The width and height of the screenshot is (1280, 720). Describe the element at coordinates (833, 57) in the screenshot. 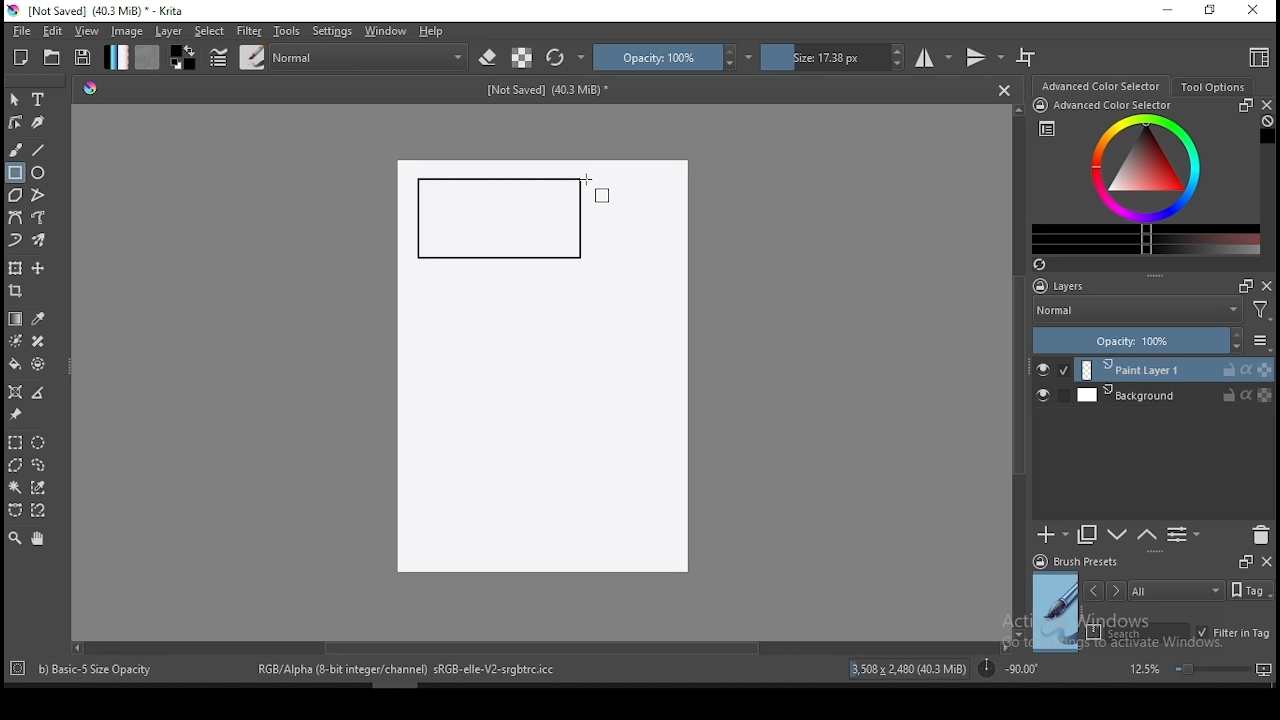

I see `size` at that location.